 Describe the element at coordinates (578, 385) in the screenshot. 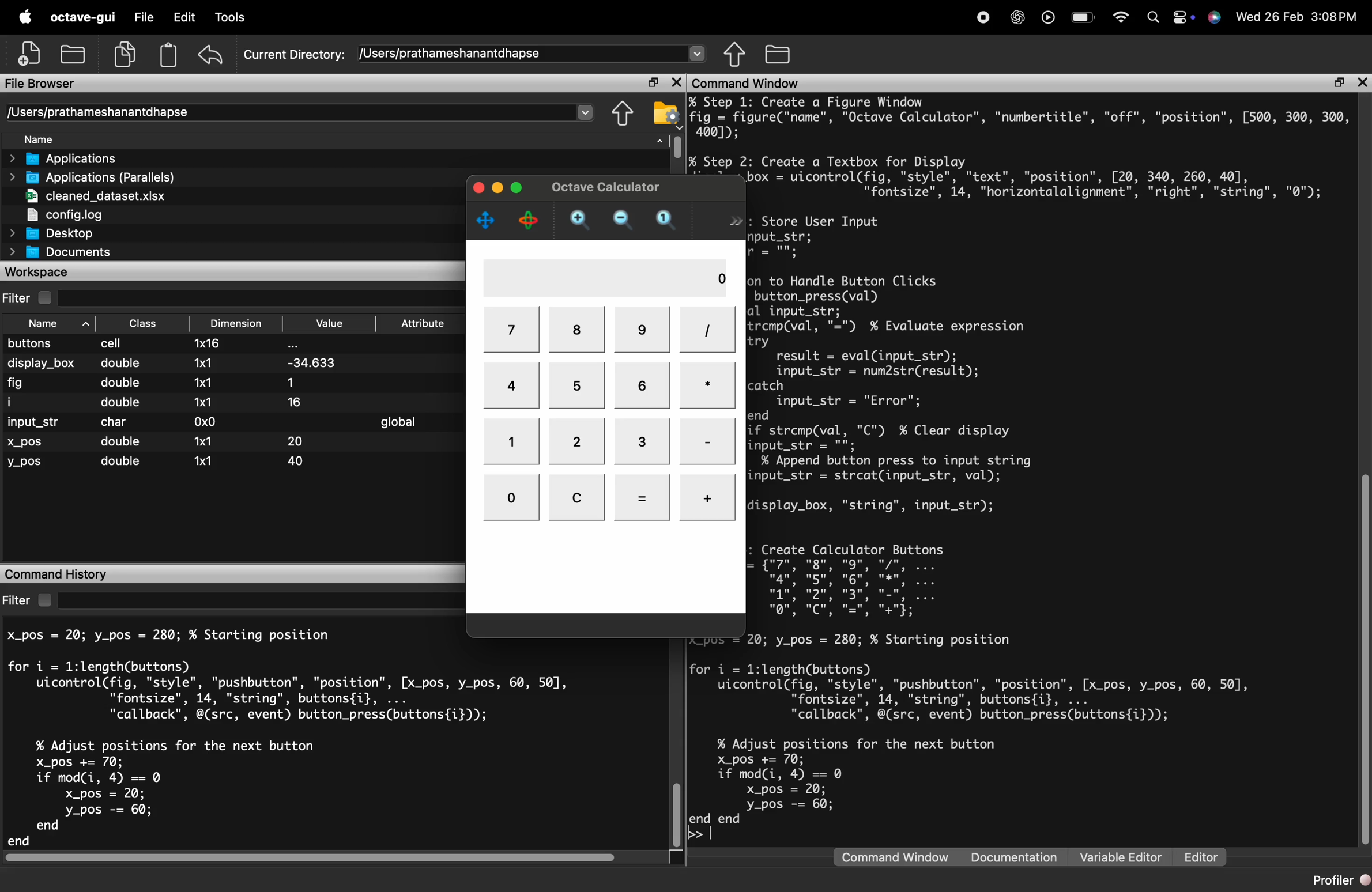

I see `5` at that location.